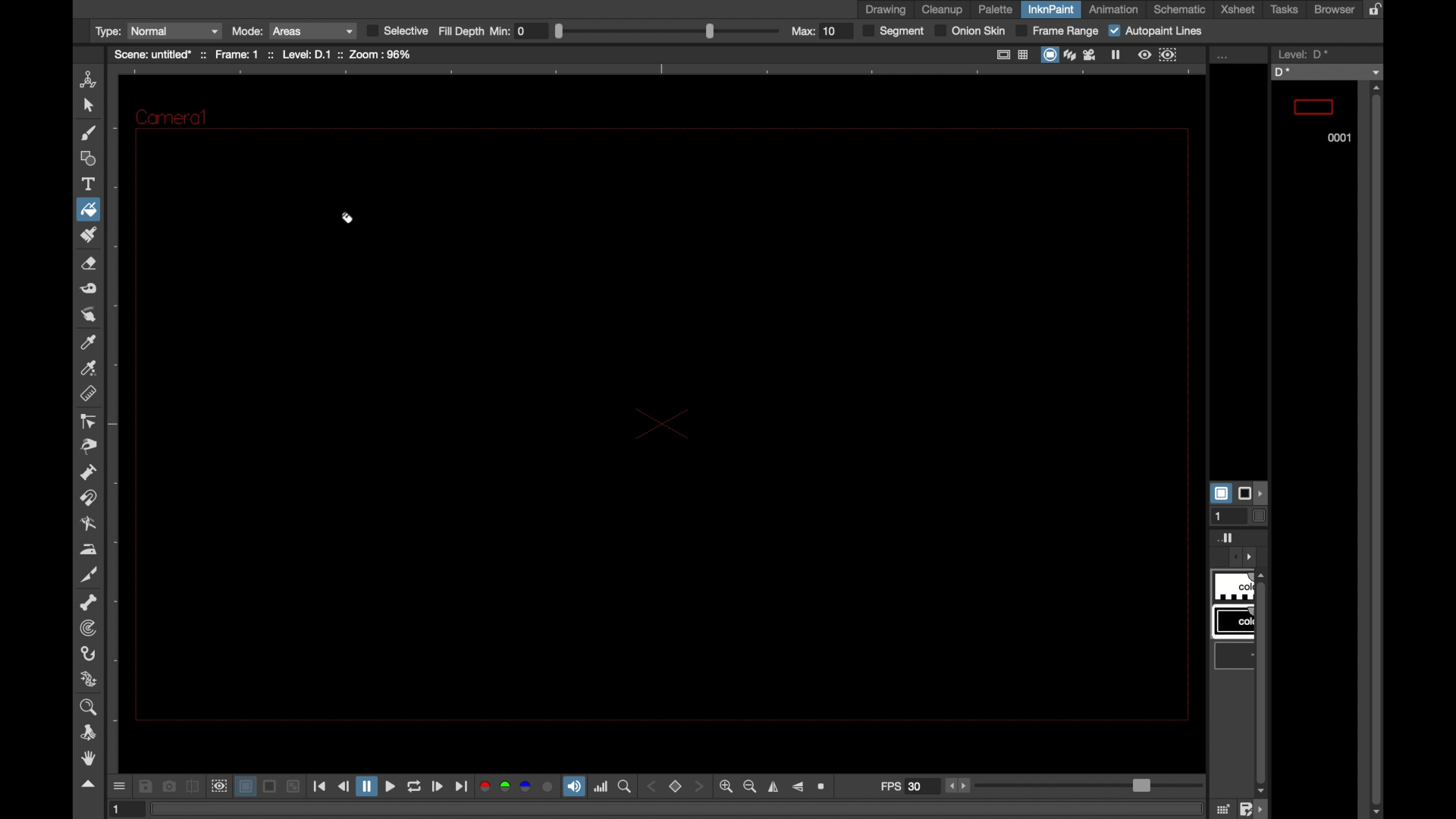 The width and height of the screenshot is (1456, 819). What do you see at coordinates (90, 785) in the screenshot?
I see `drag handle` at bounding box center [90, 785].